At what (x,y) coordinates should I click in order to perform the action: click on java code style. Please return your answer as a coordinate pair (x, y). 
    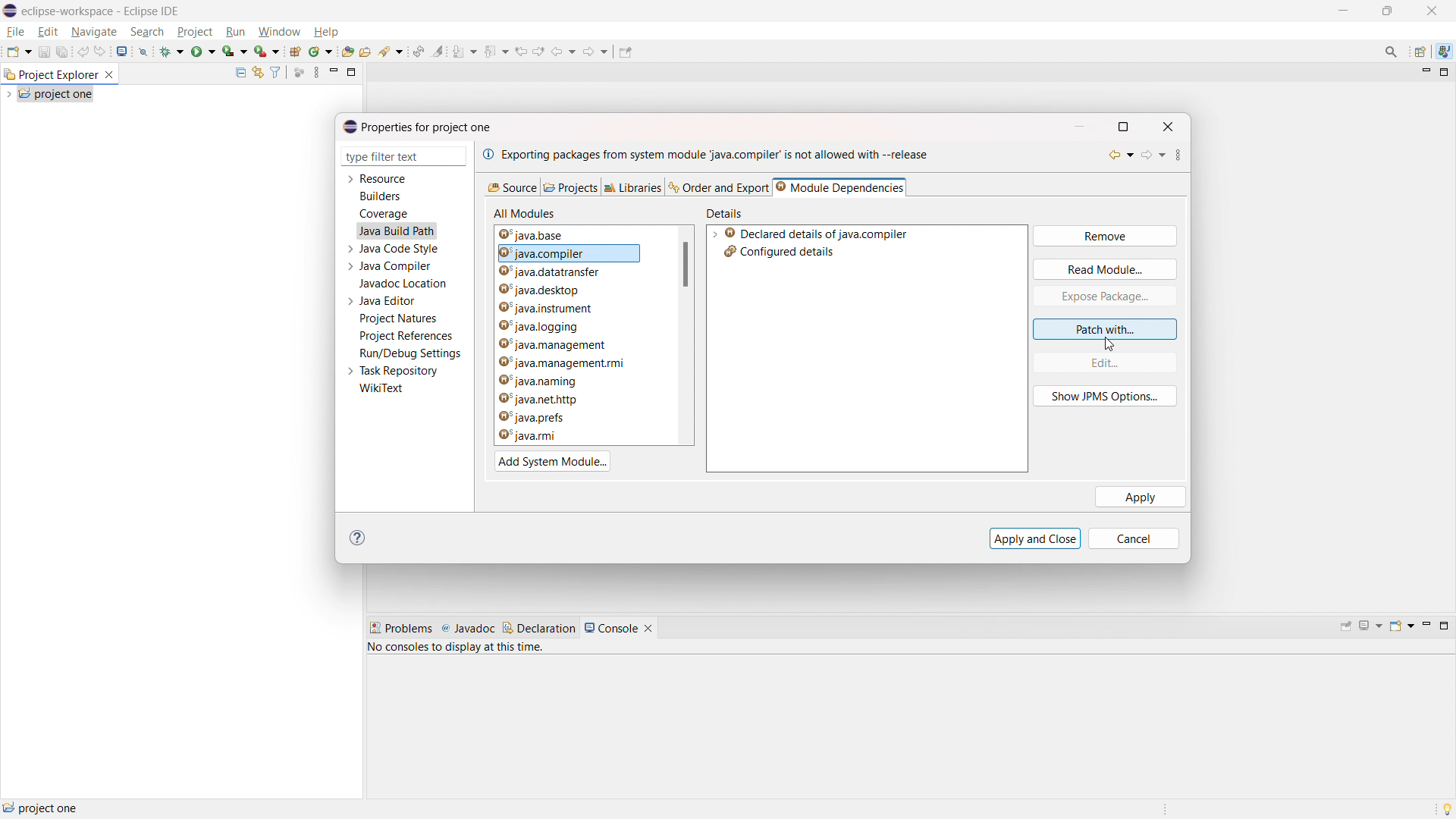
    Looking at the image, I should click on (400, 249).